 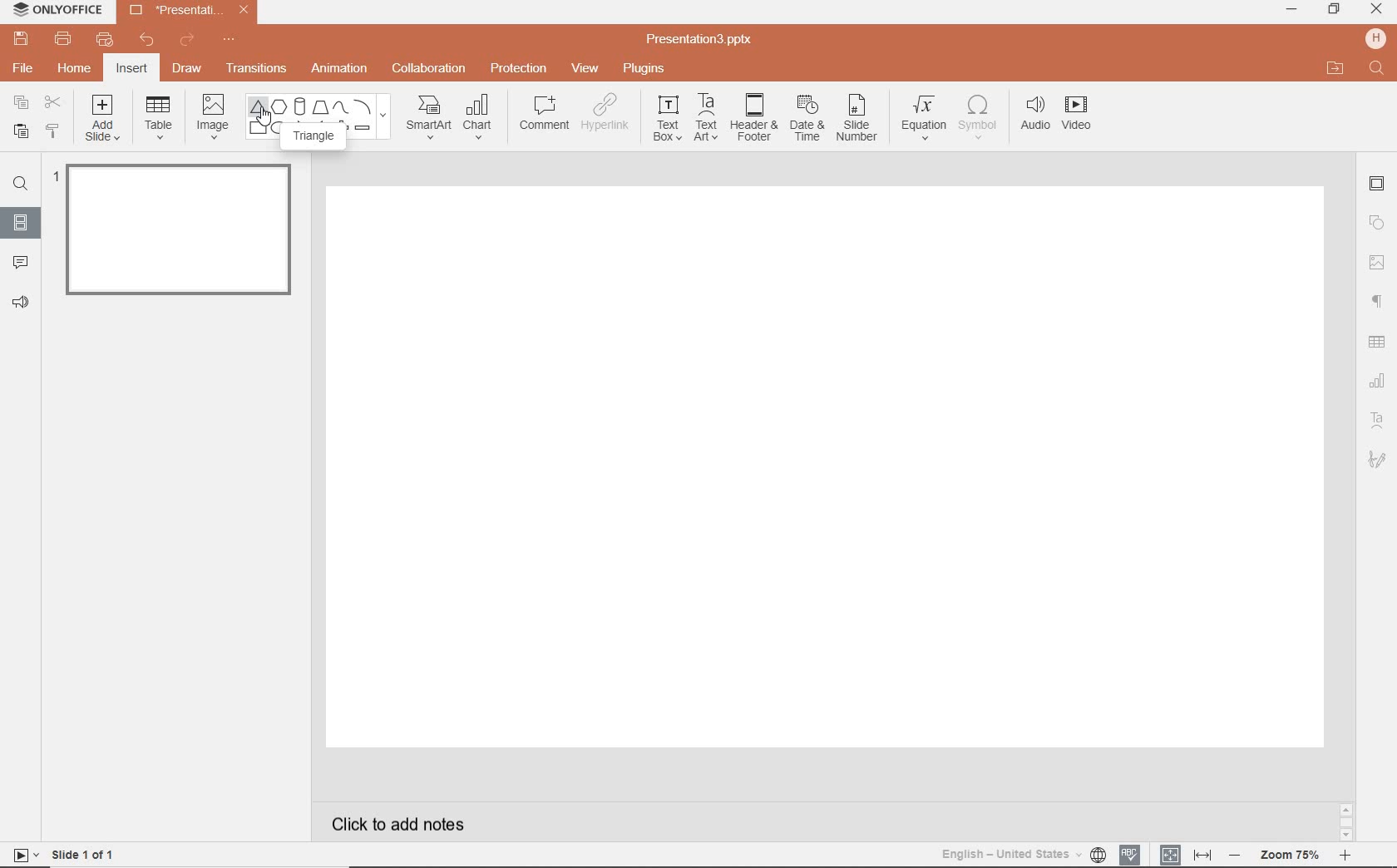 I want to click on TABLE, so click(x=159, y=118).